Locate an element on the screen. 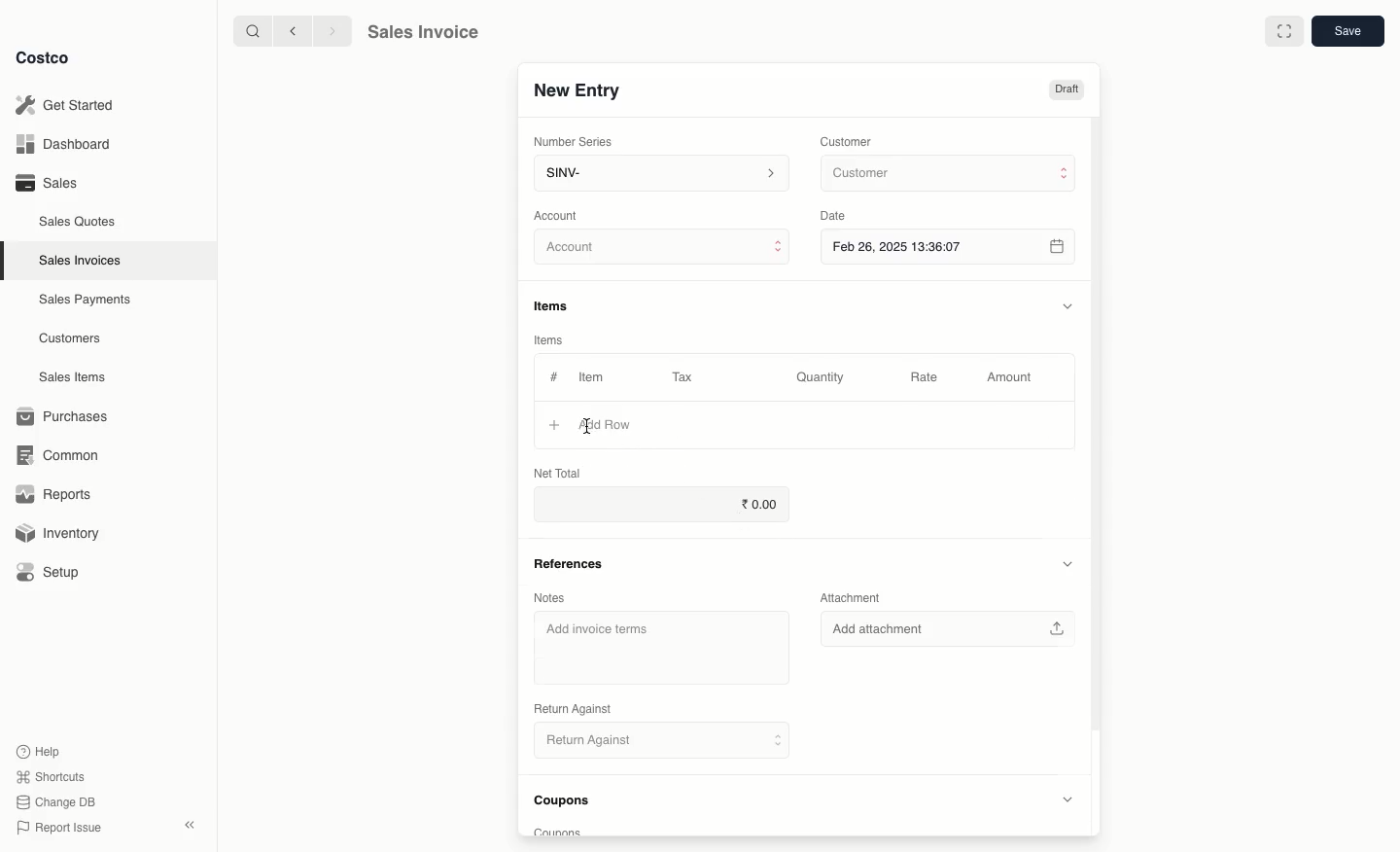 The width and height of the screenshot is (1400, 852). Hide is located at coordinates (1069, 563).